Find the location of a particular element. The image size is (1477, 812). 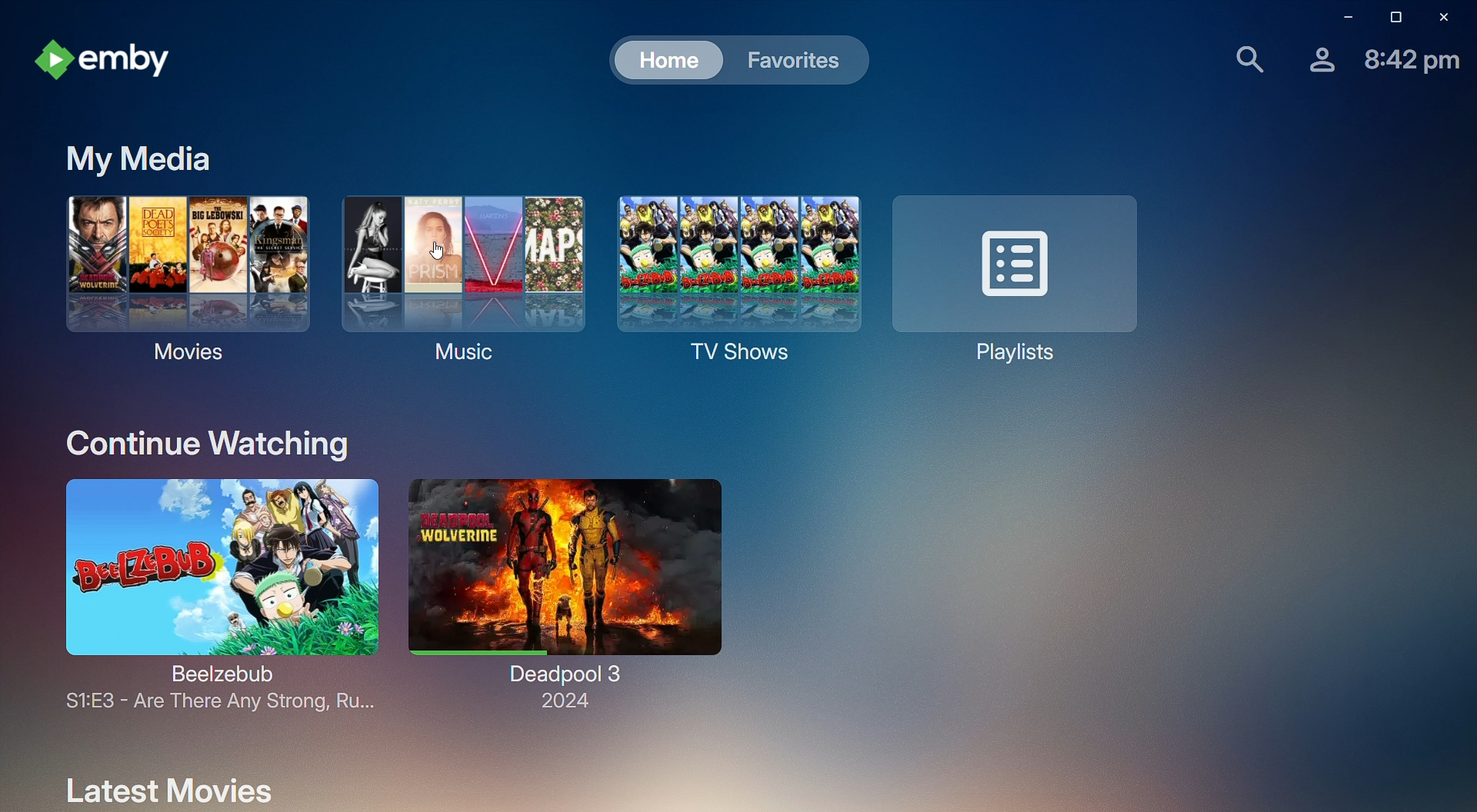

My Media is located at coordinates (136, 156).